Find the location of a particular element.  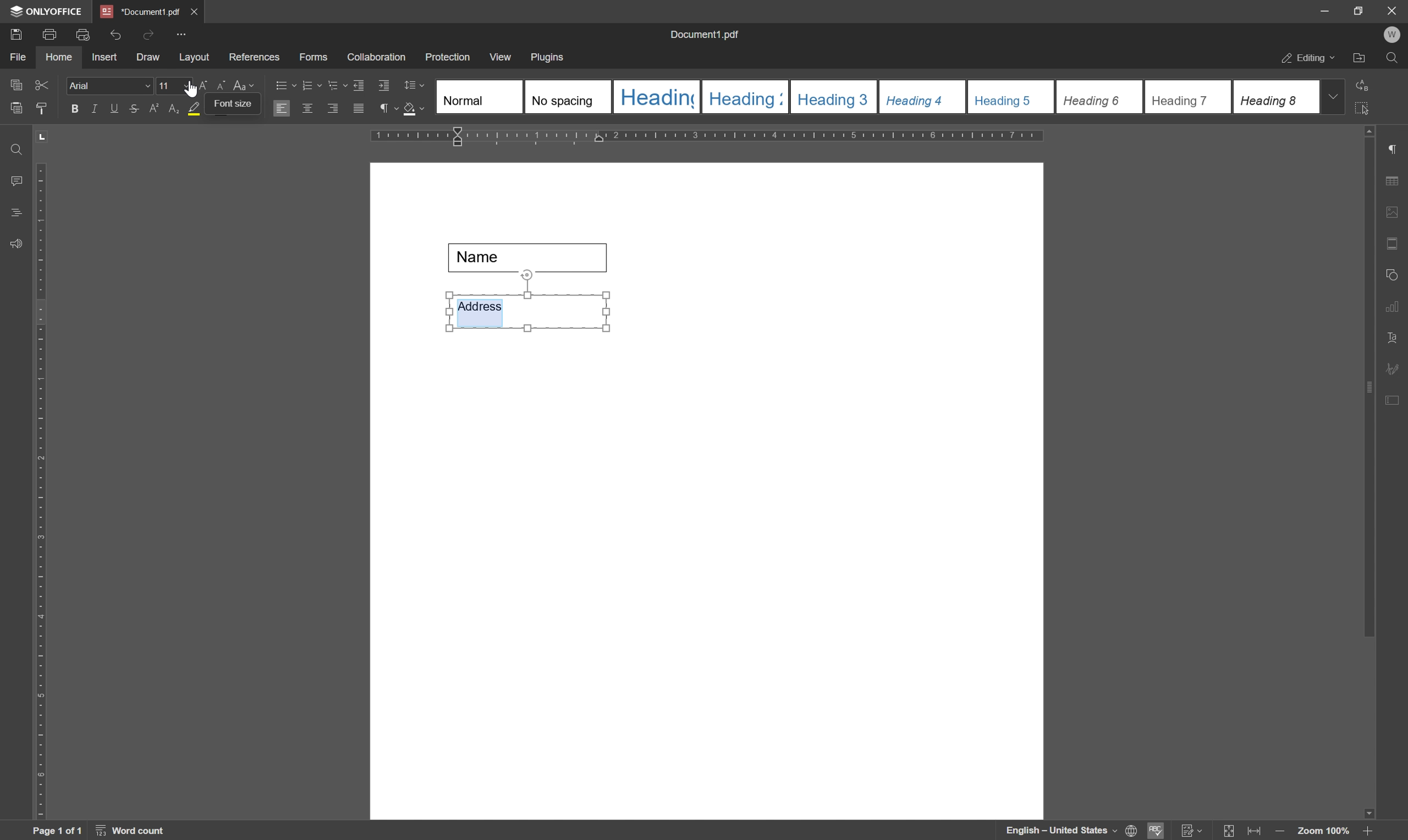

spell checking is located at coordinates (1157, 830).